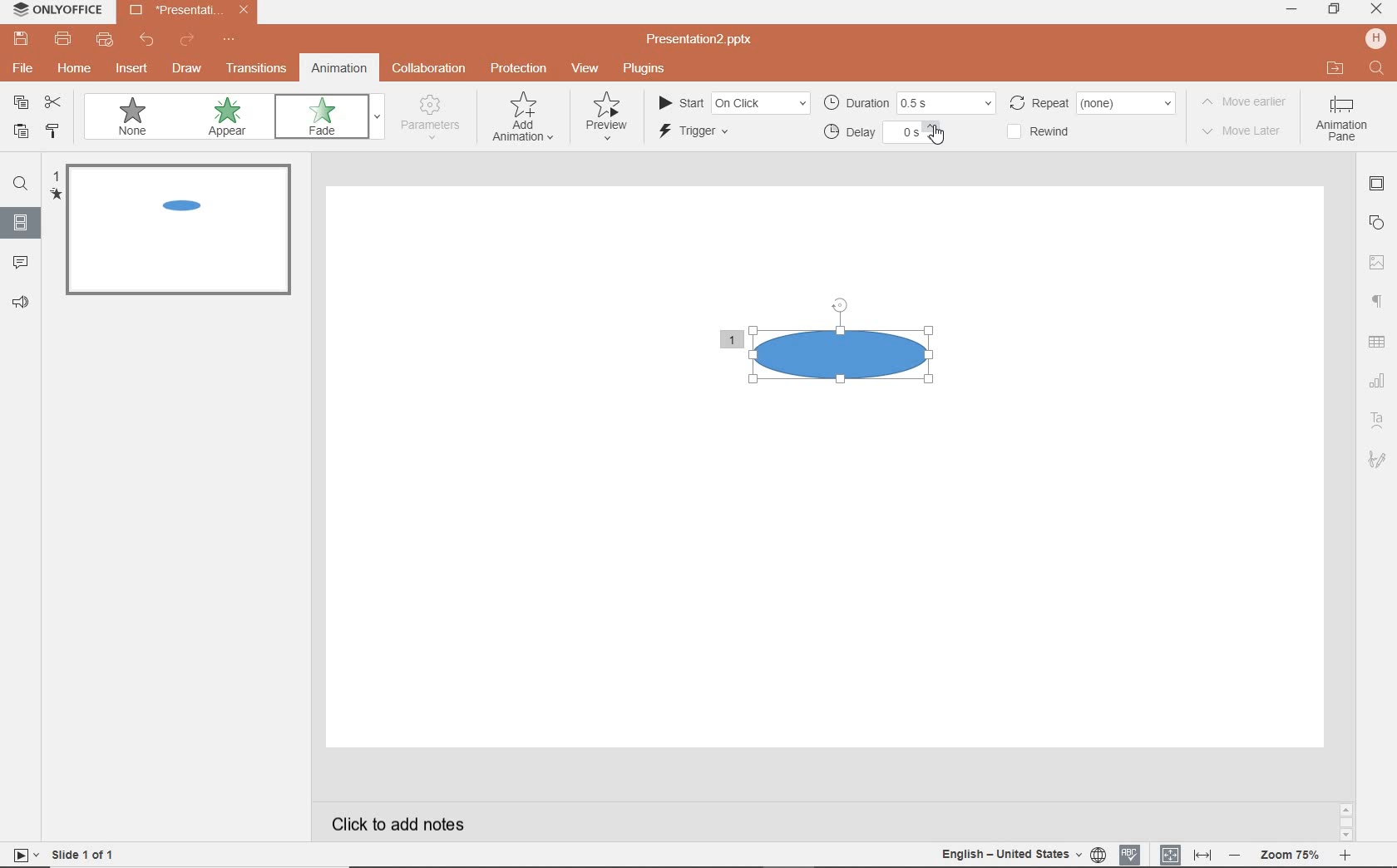  What do you see at coordinates (709, 40) in the screenshot?
I see `Presentation2.pptx` at bounding box center [709, 40].